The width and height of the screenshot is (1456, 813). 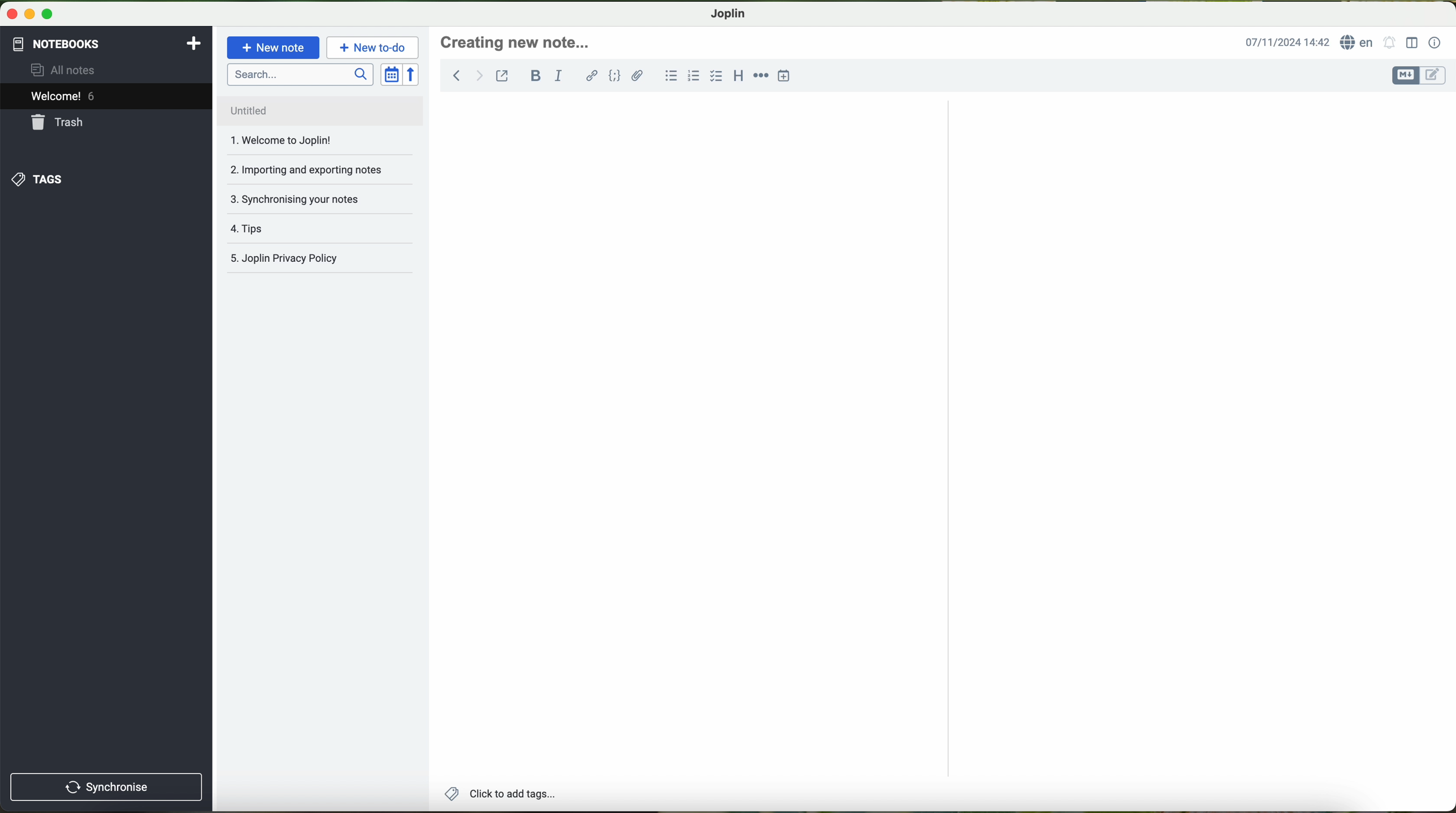 What do you see at coordinates (463, 75) in the screenshot?
I see `navigation arrows` at bounding box center [463, 75].